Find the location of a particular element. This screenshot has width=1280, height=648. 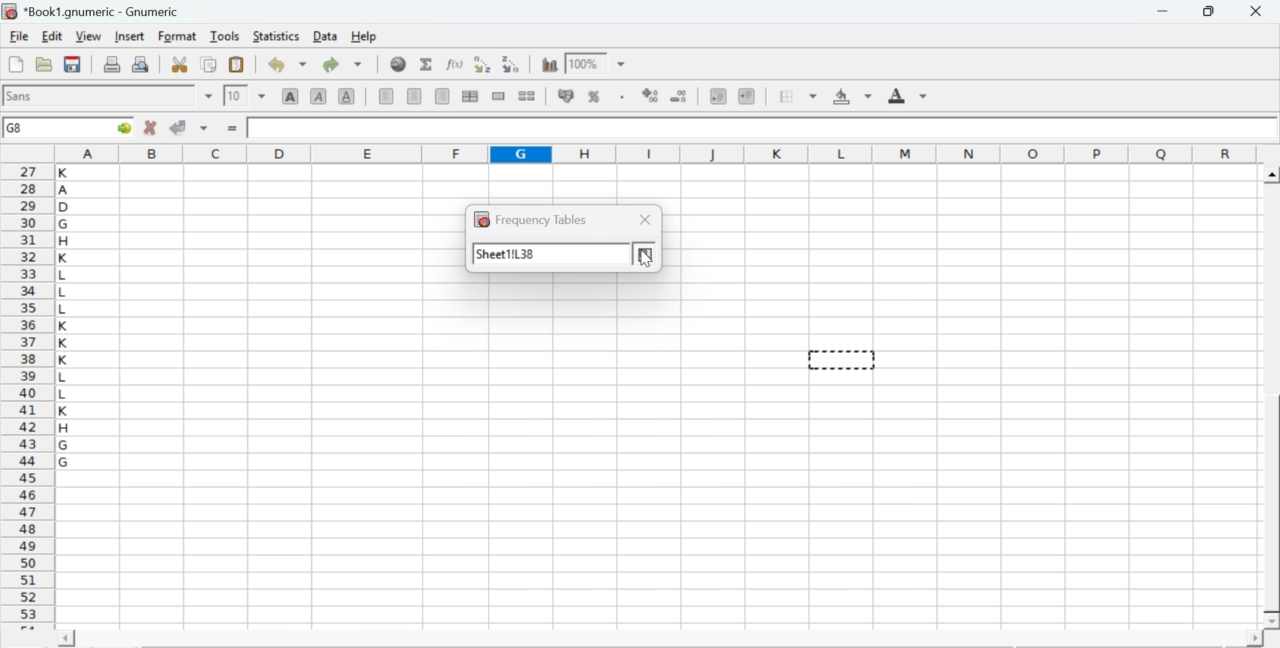

increase indent is located at coordinates (746, 97).